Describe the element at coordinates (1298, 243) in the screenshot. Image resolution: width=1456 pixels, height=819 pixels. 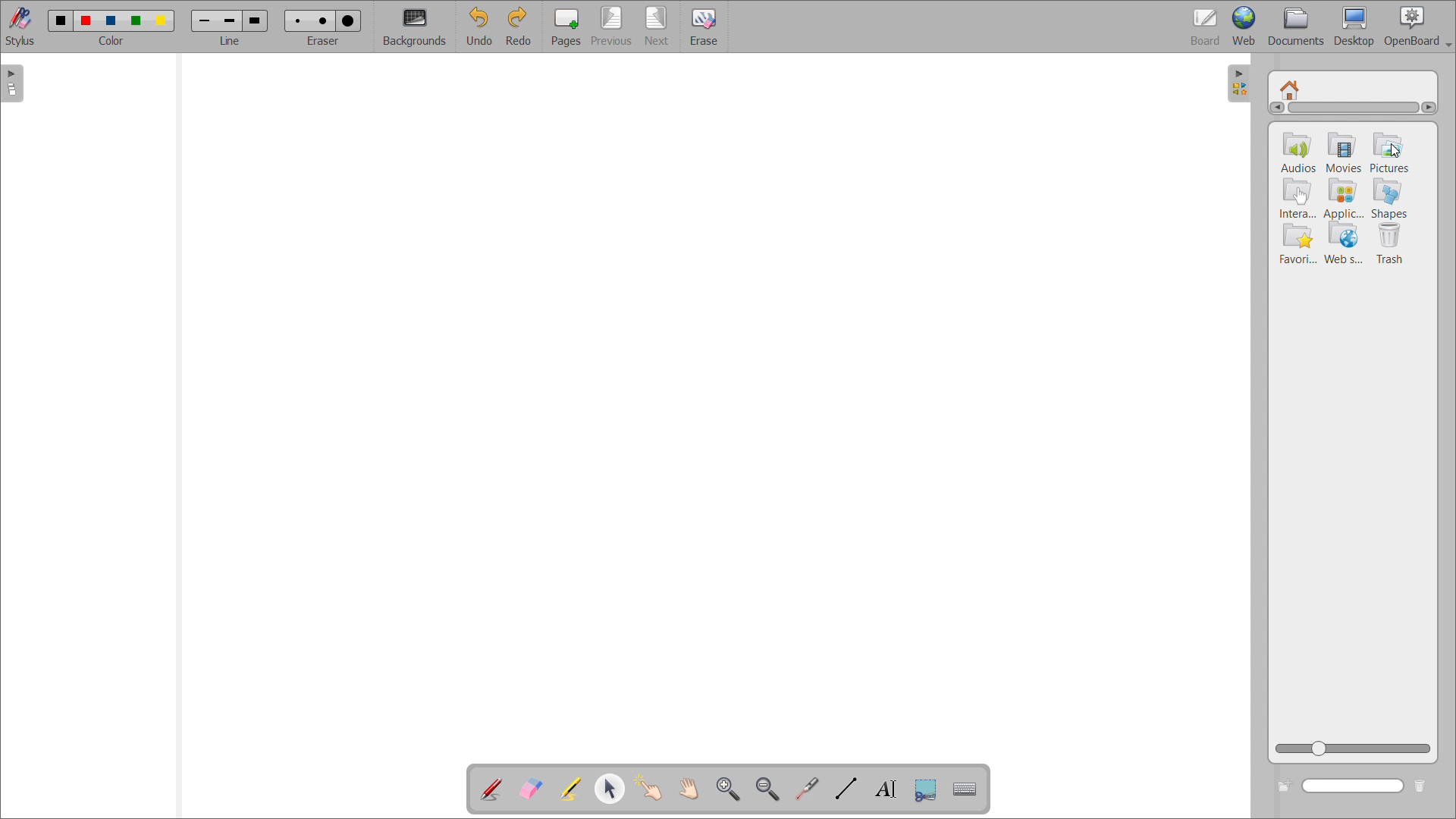
I see `Favourites` at that location.